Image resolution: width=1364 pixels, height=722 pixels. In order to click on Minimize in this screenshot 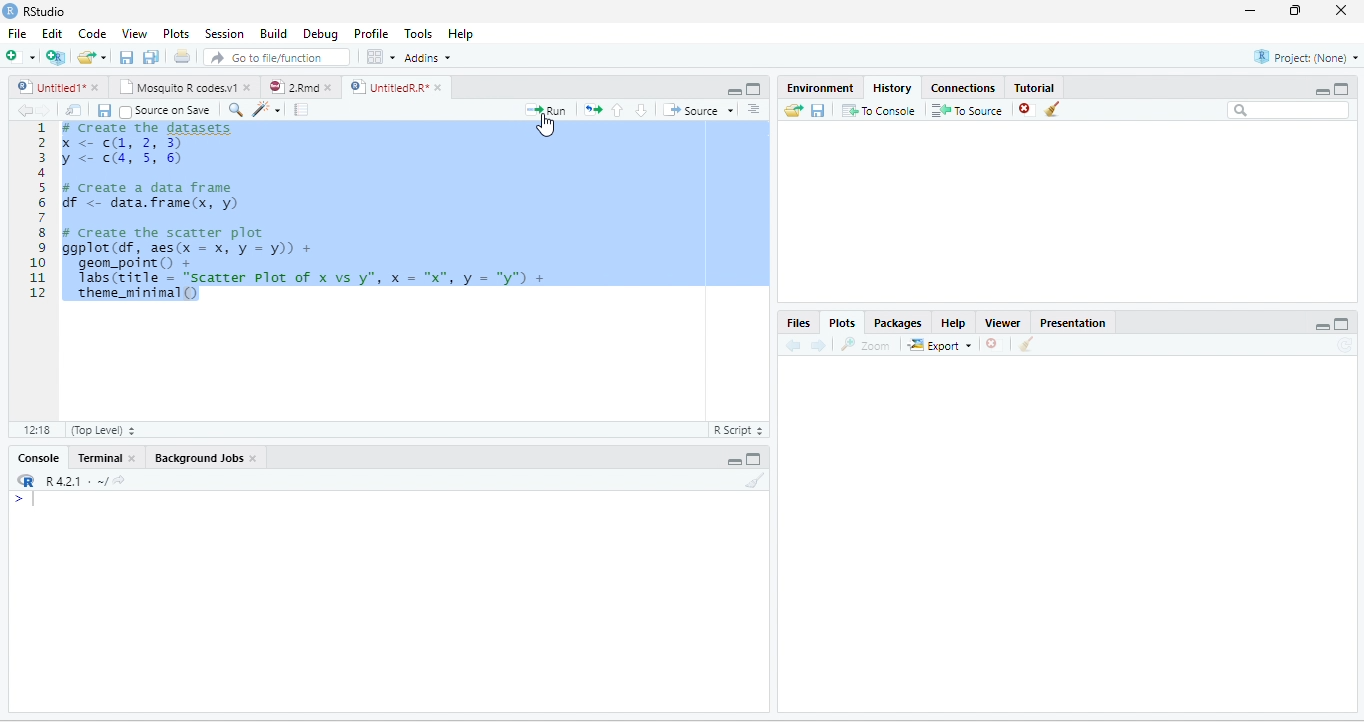, I will do `click(1322, 91)`.